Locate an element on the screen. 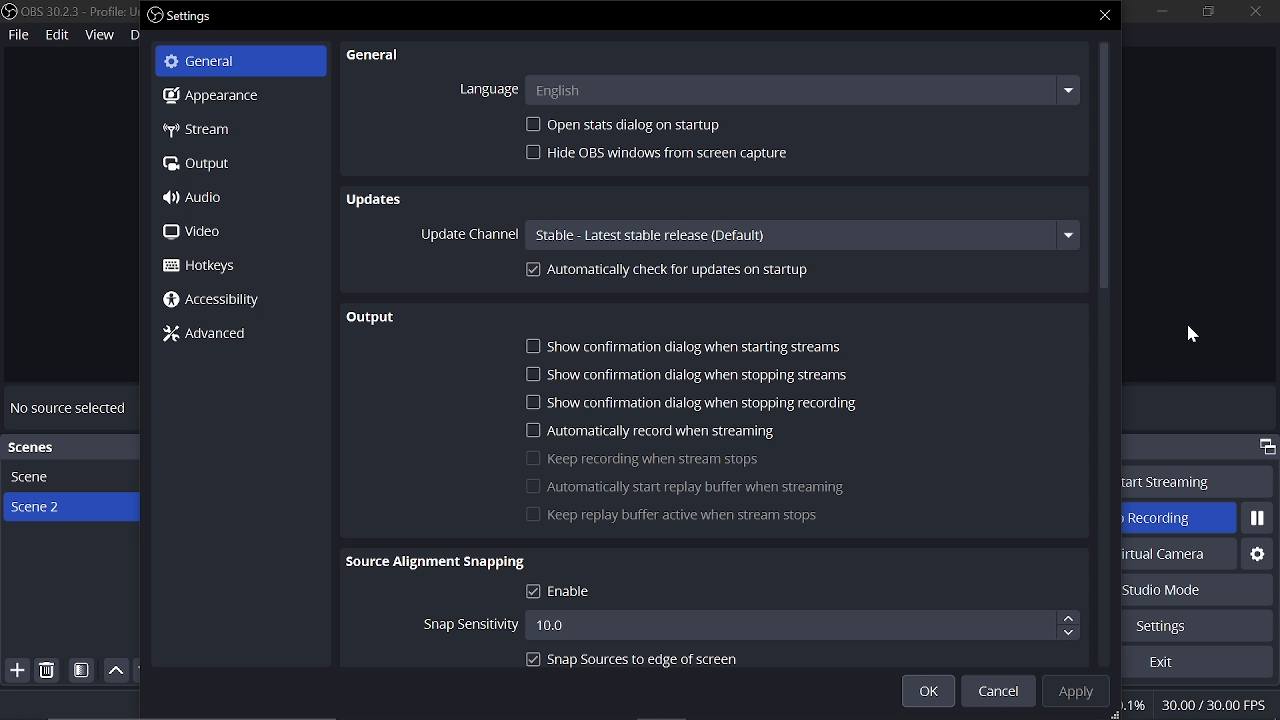 This screenshot has width=1280, height=720. apply is located at coordinates (1078, 690).